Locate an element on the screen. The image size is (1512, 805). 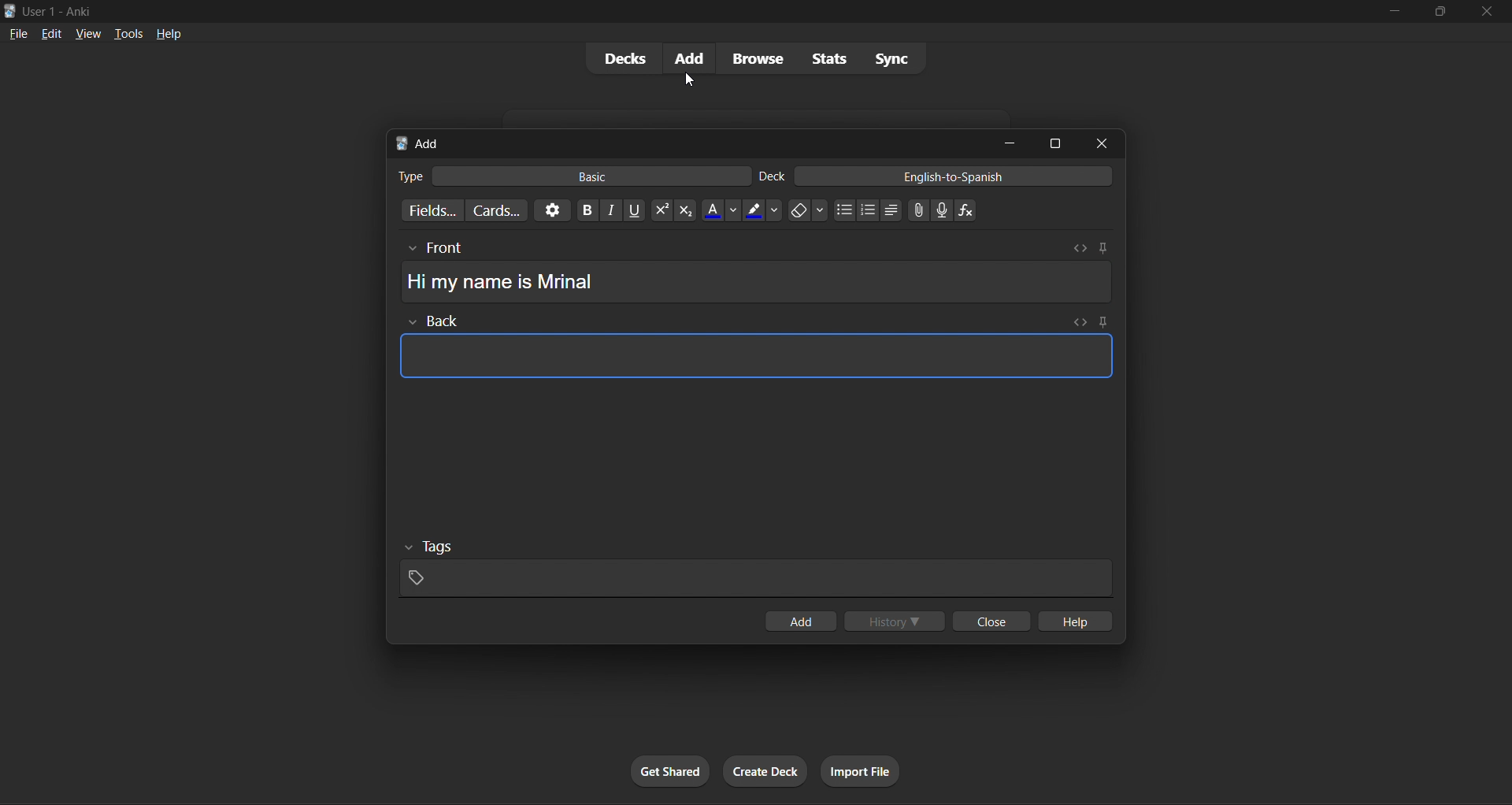
customize card templates is located at coordinates (498, 208).